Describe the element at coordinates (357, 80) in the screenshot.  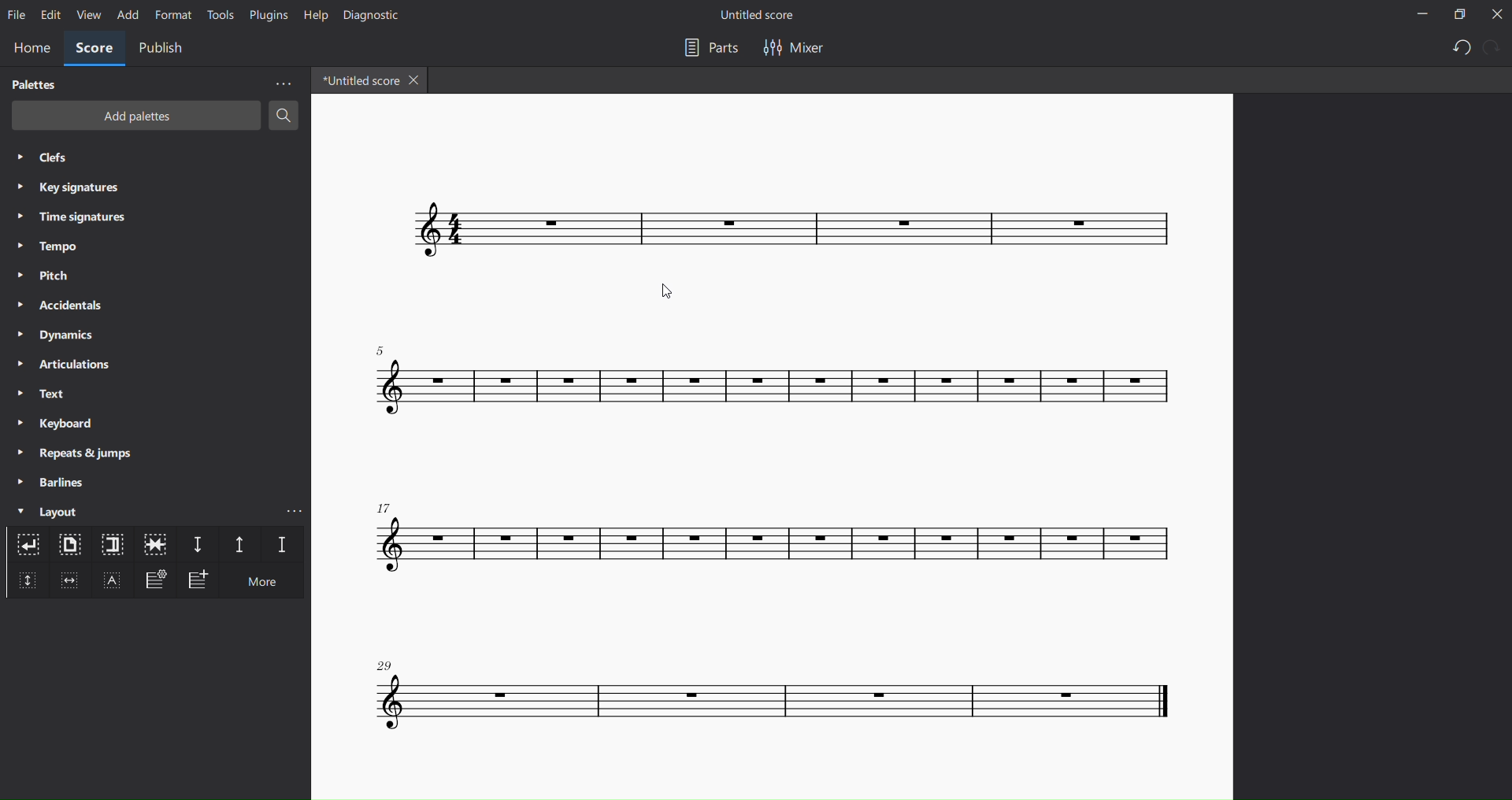
I see `tab name` at that location.